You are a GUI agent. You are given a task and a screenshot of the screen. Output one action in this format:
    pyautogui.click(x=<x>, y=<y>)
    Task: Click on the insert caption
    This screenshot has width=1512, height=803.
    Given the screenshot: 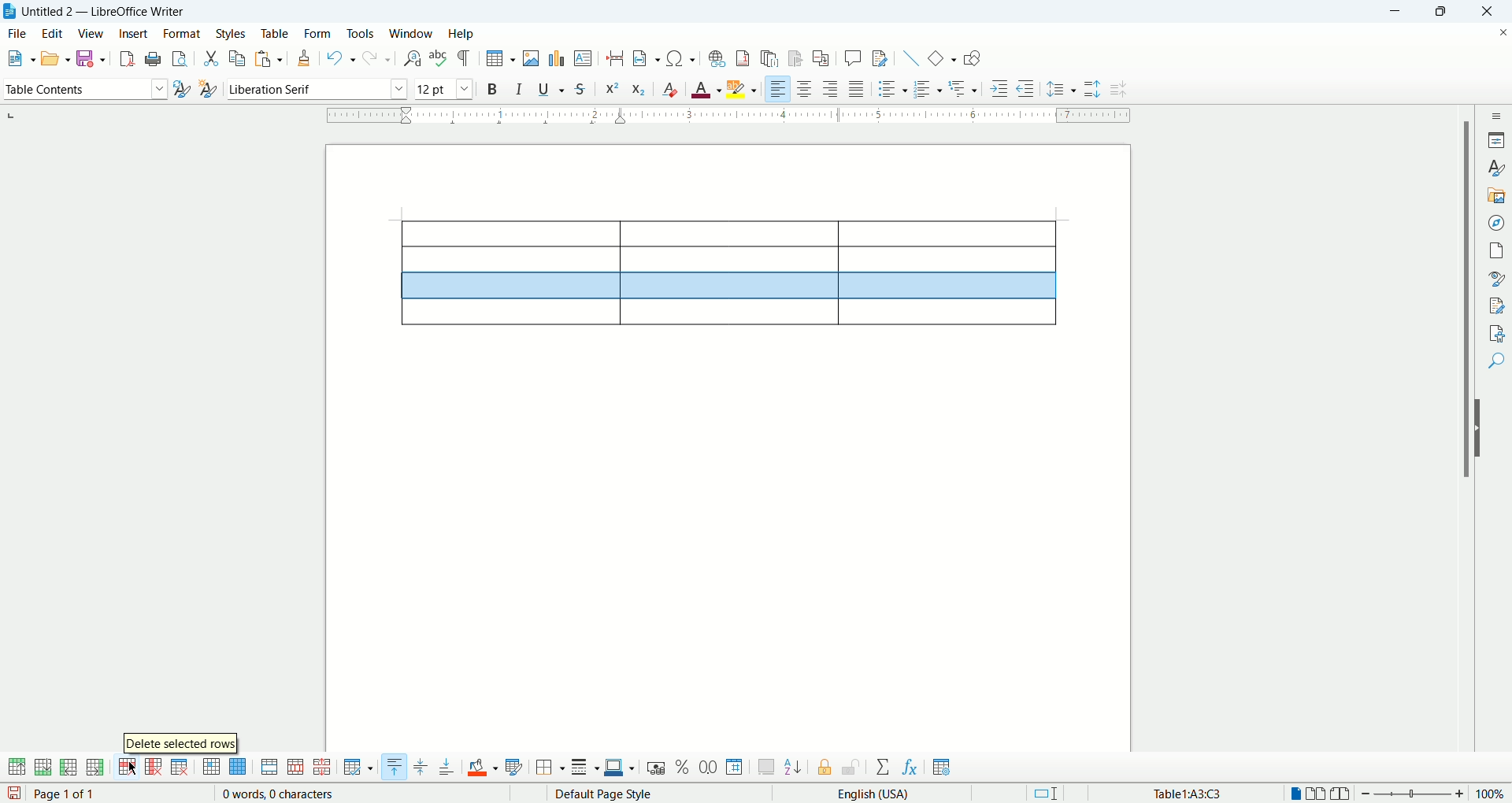 What is the action you would take?
    pyautogui.click(x=767, y=771)
    